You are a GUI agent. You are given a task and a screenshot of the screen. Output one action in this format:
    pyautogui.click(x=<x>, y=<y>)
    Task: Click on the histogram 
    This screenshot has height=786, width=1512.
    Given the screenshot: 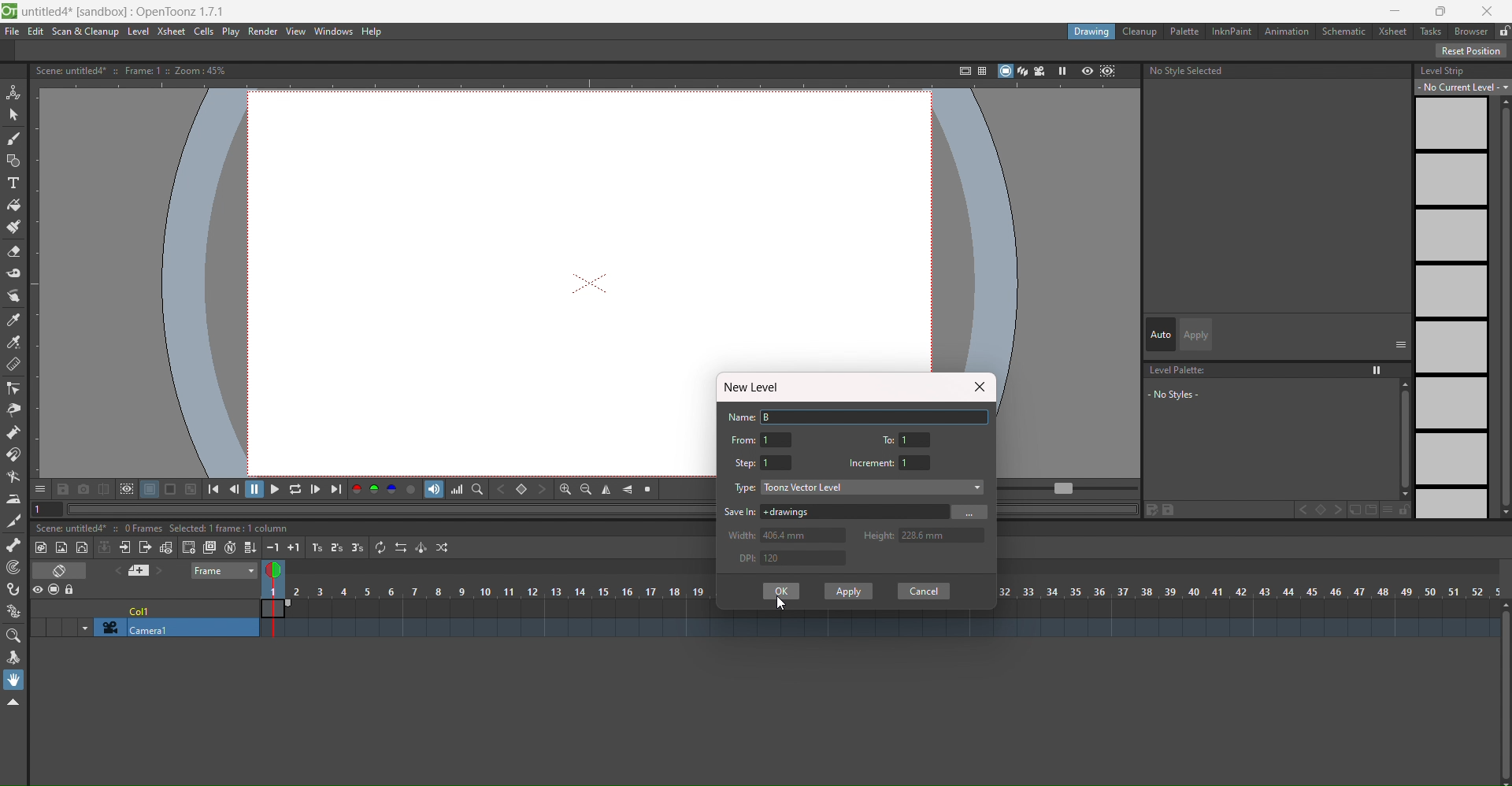 What is the action you would take?
    pyautogui.click(x=457, y=489)
    